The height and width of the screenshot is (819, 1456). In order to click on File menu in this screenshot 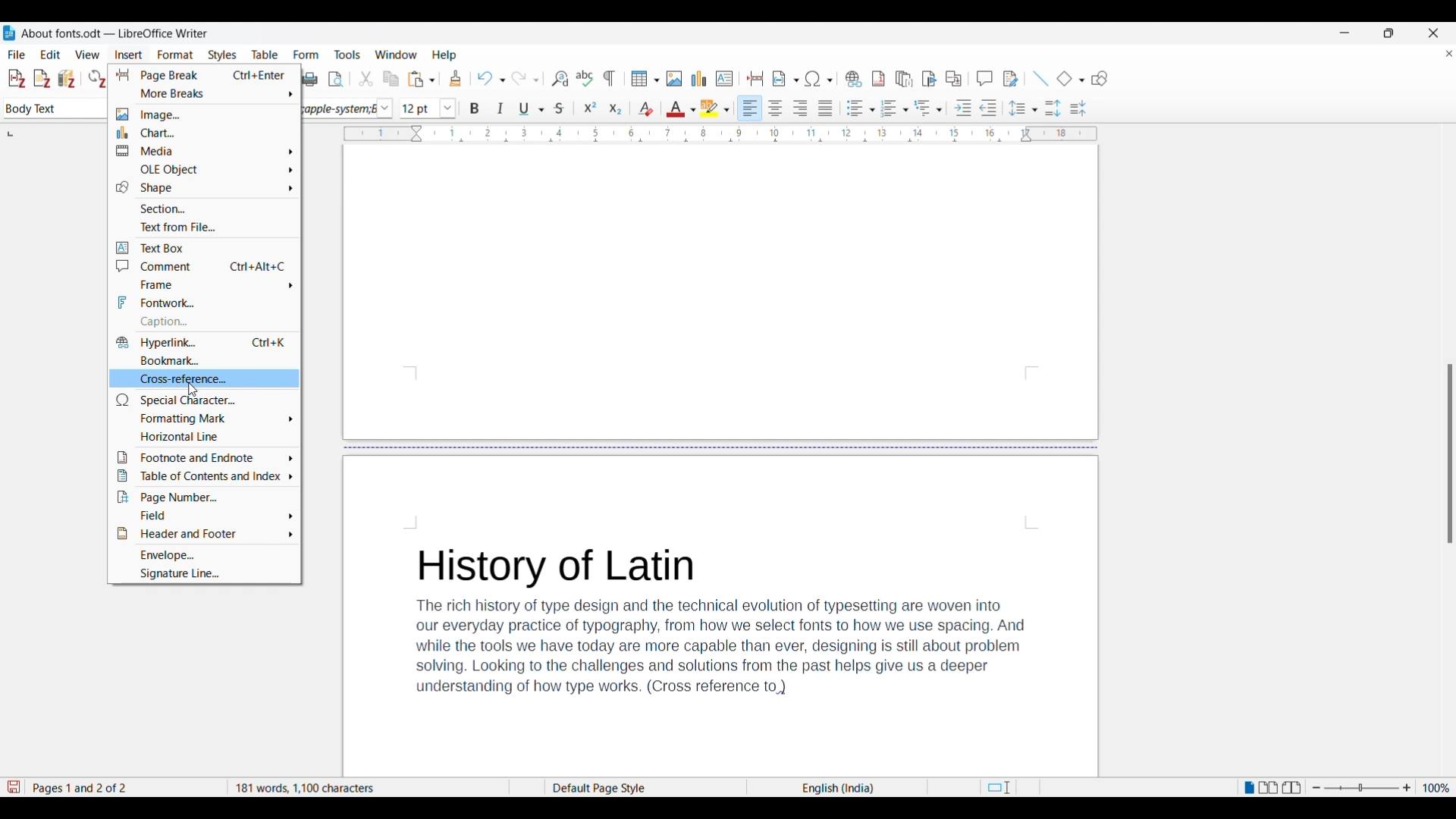, I will do `click(17, 55)`.